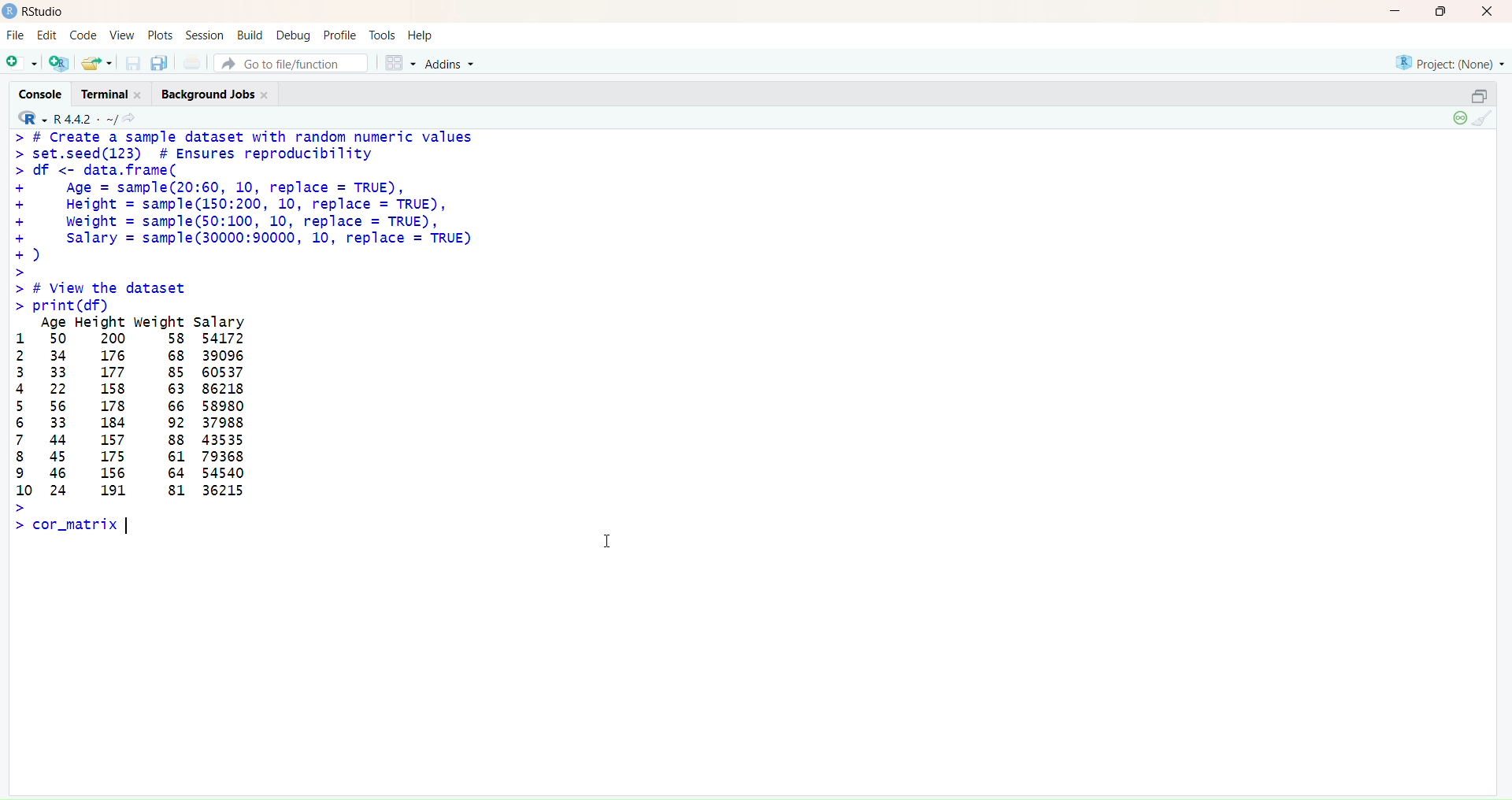  I want to click on Workspace panes, so click(397, 62).